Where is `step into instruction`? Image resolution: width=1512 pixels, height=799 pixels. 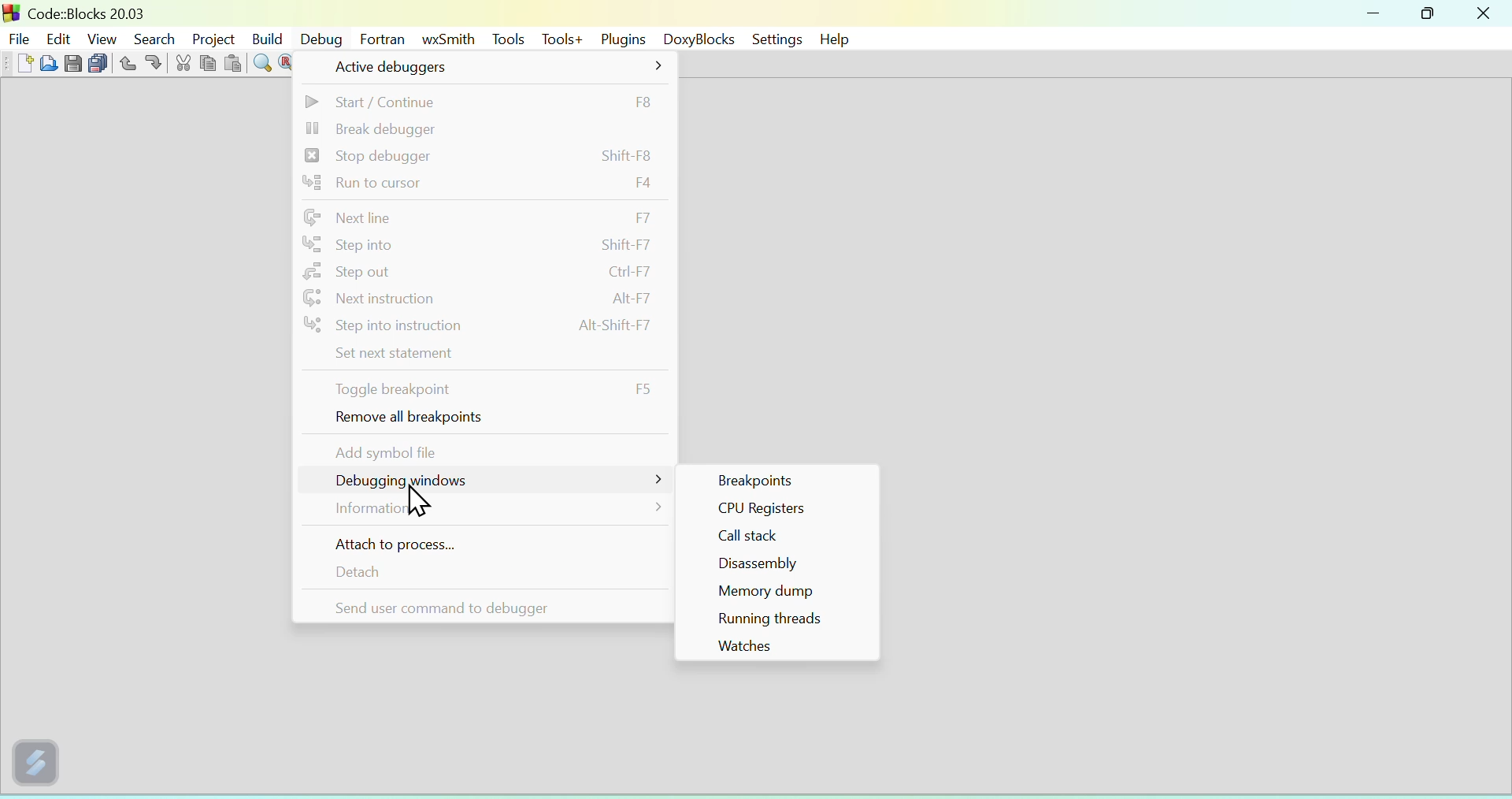 step into instruction is located at coordinates (480, 327).